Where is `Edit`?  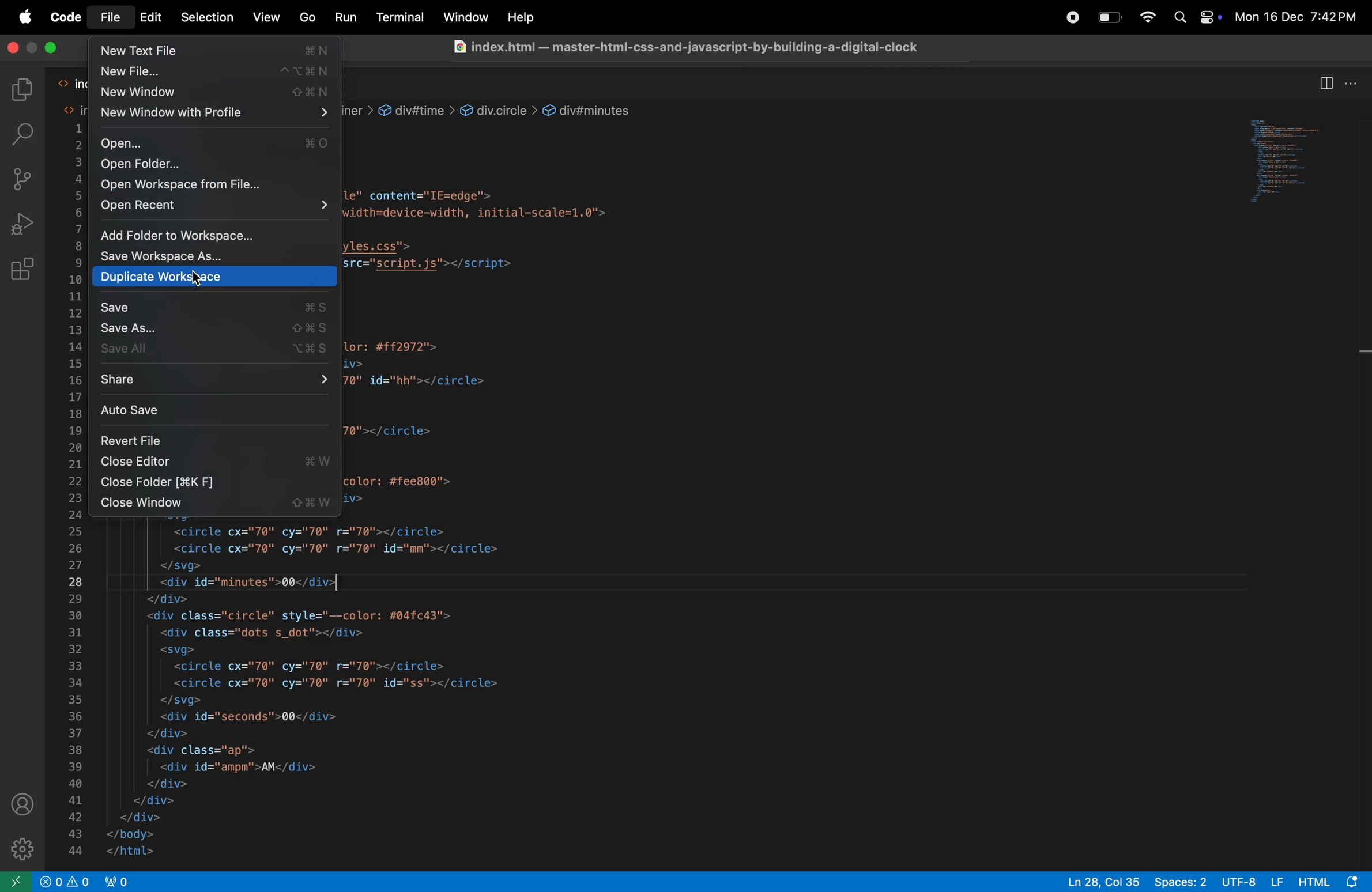 Edit is located at coordinates (152, 18).